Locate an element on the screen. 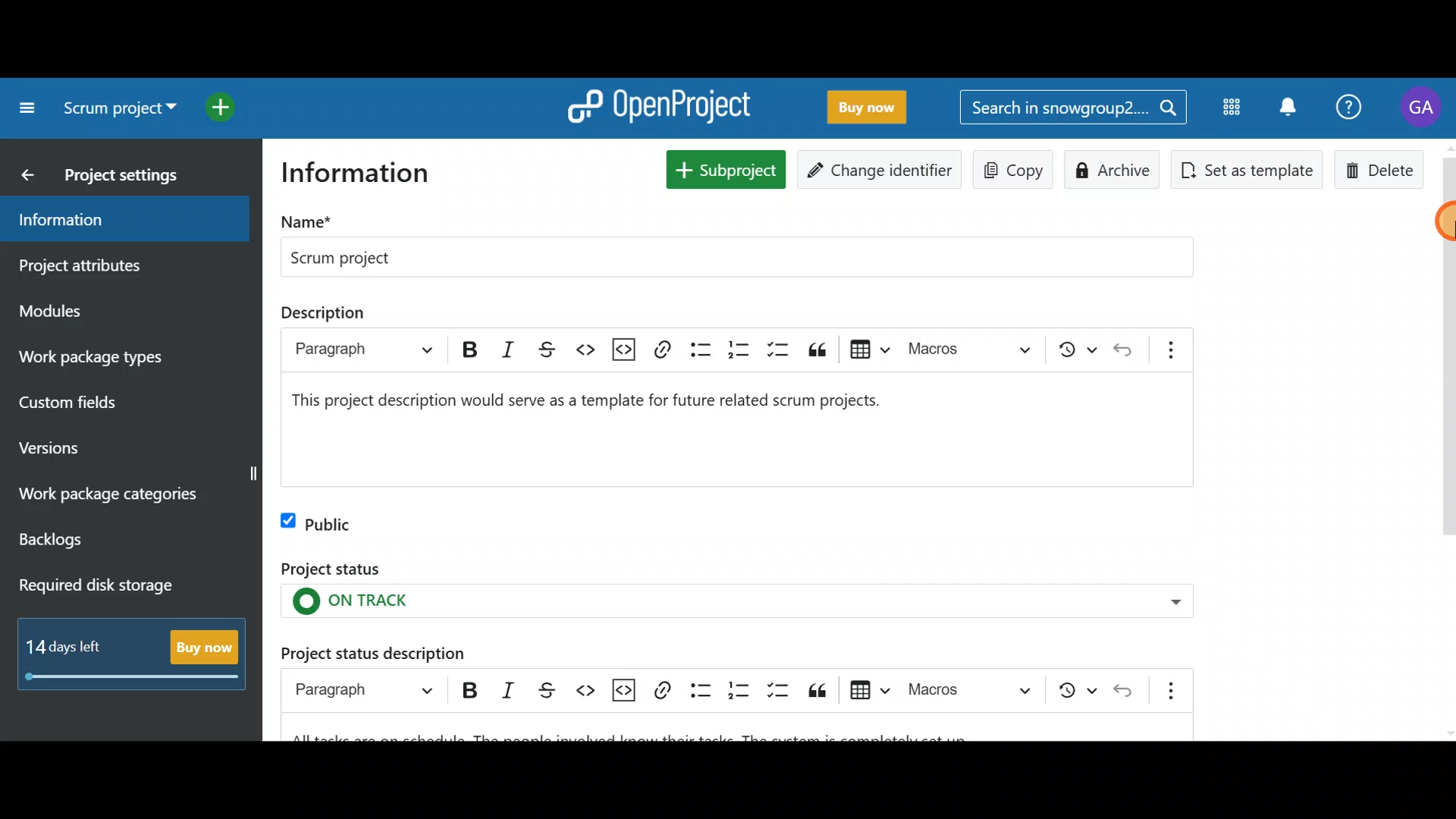 The height and width of the screenshot is (819, 1456). undo is located at coordinates (1122, 349).